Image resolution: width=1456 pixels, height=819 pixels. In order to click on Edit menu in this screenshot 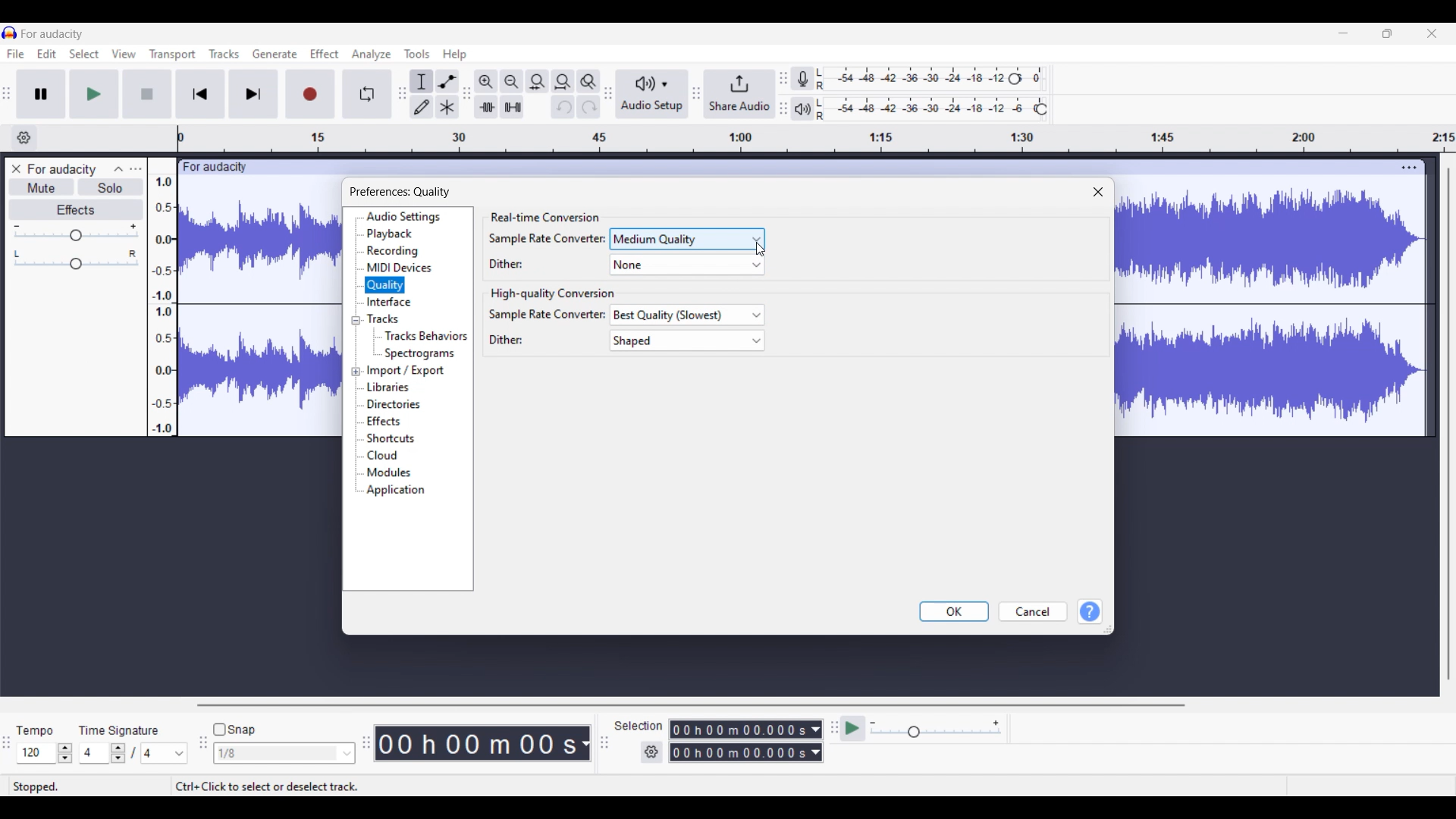, I will do `click(46, 53)`.